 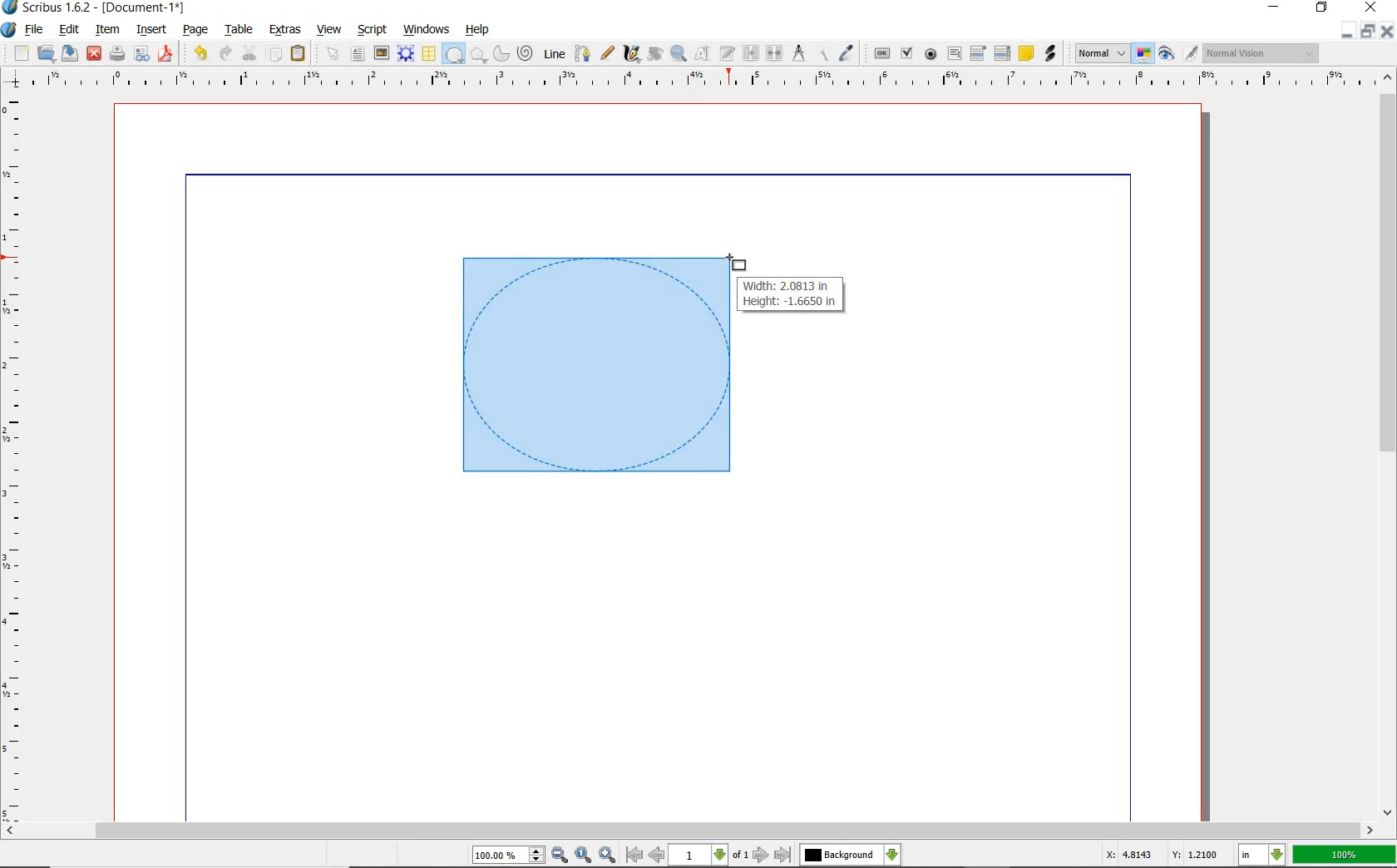 I want to click on zoom , so click(x=510, y=856).